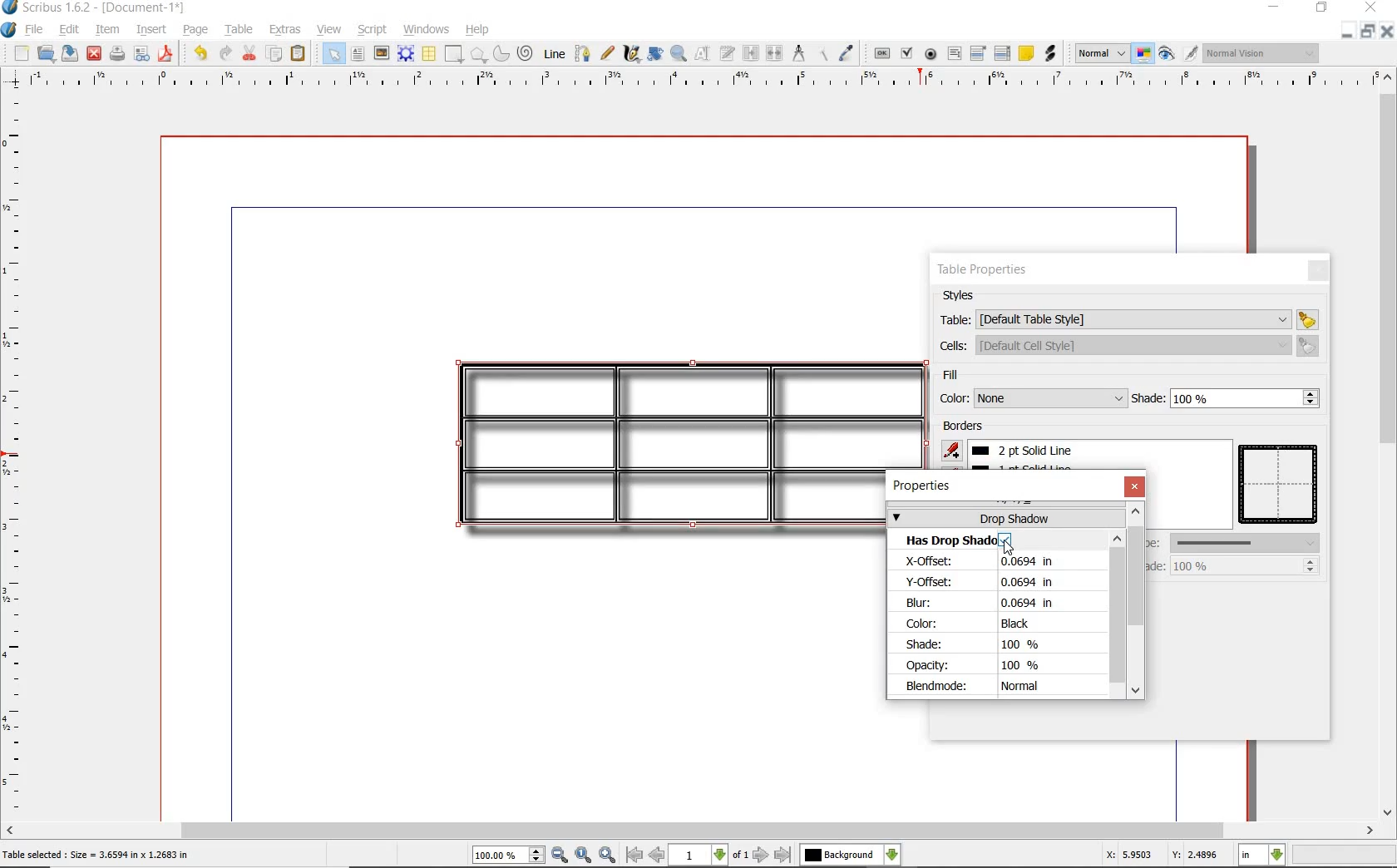 This screenshot has width=1397, height=868. What do you see at coordinates (17, 454) in the screenshot?
I see `ruler` at bounding box center [17, 454].